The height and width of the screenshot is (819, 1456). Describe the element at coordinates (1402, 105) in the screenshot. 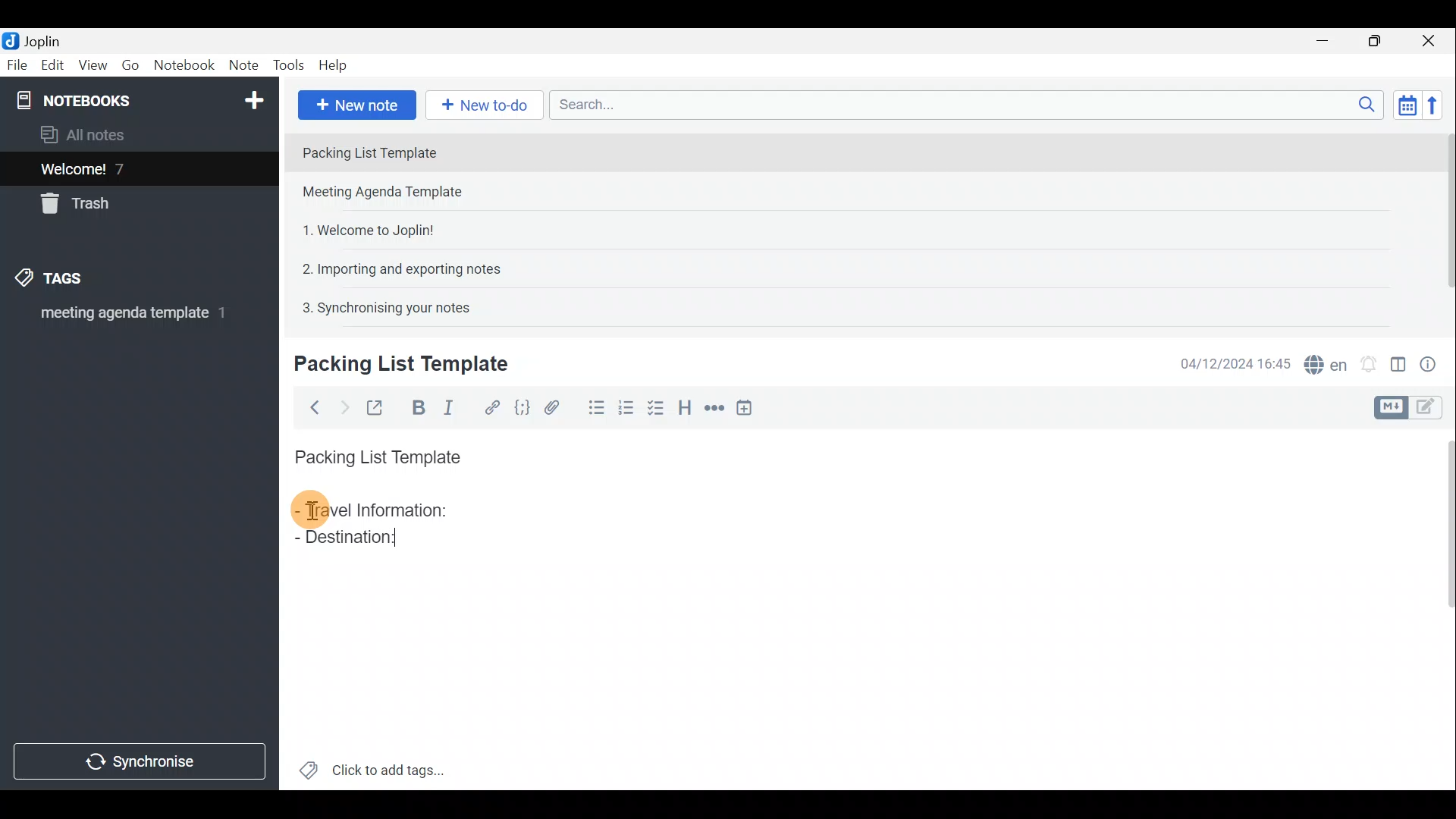

I see `Toggle sort order field` at that location.